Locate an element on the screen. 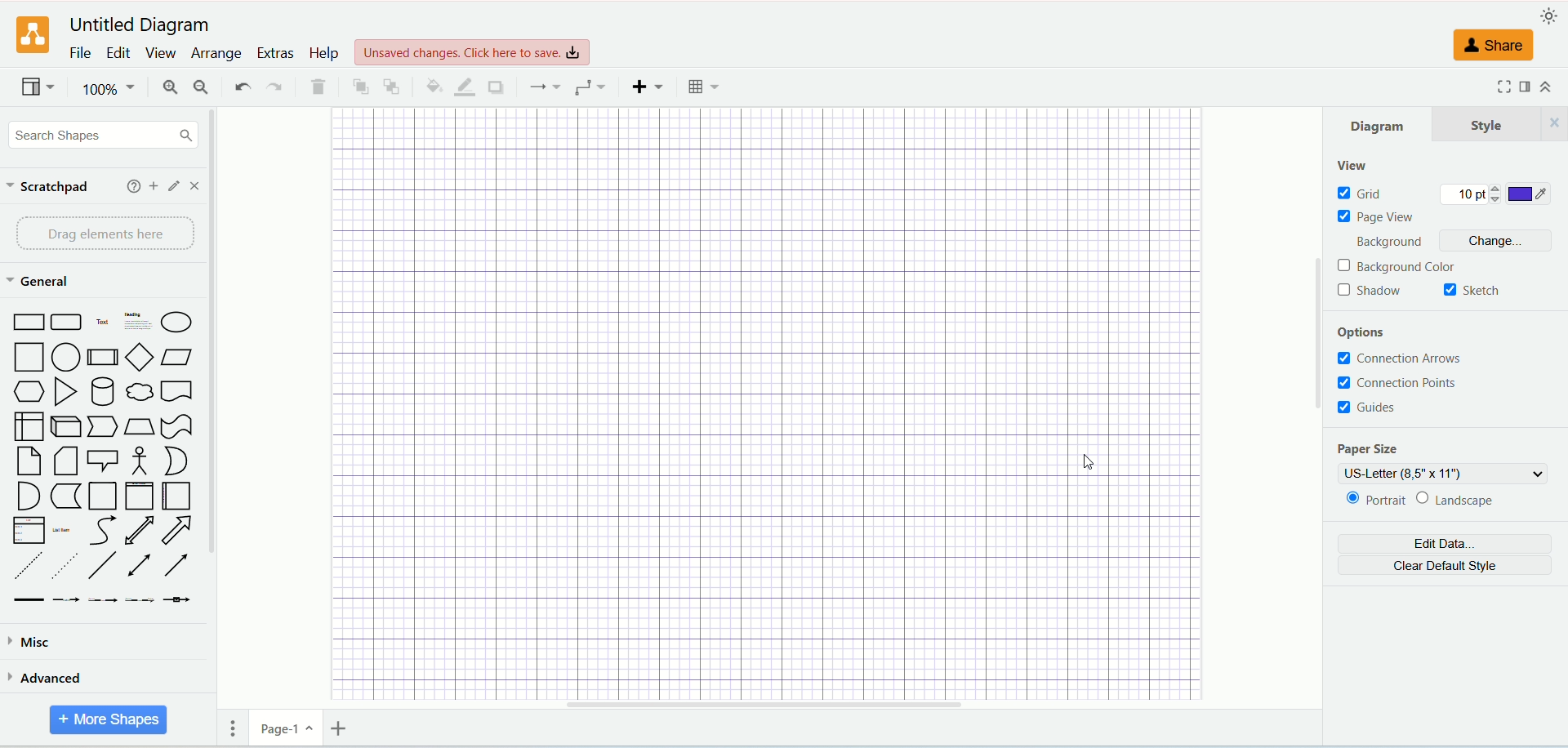 This screenshot has width=1568, height=748. search shapes is located at coordinates (104, 136).